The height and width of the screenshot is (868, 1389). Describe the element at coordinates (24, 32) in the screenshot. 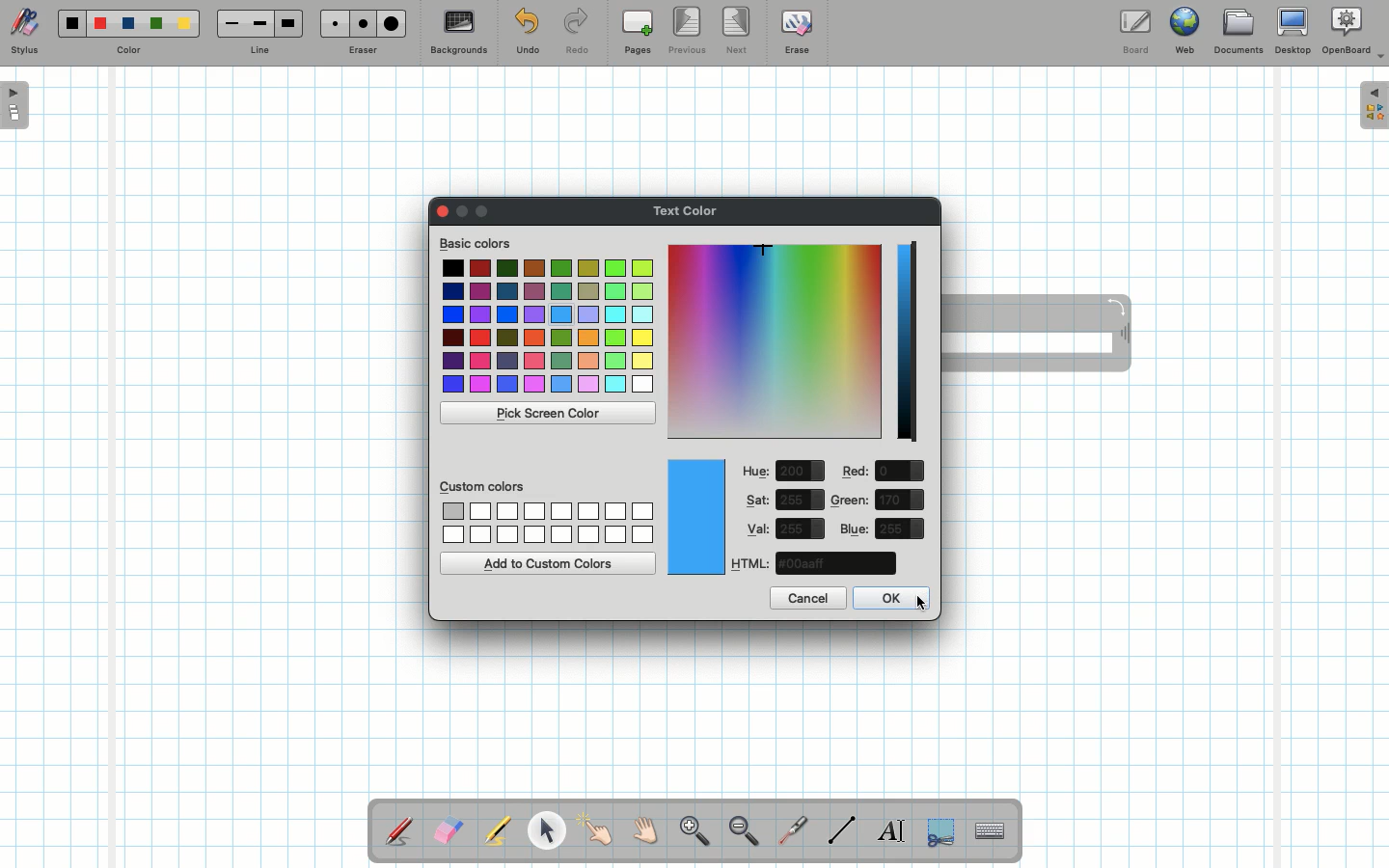

I see `Stylus` at that location.